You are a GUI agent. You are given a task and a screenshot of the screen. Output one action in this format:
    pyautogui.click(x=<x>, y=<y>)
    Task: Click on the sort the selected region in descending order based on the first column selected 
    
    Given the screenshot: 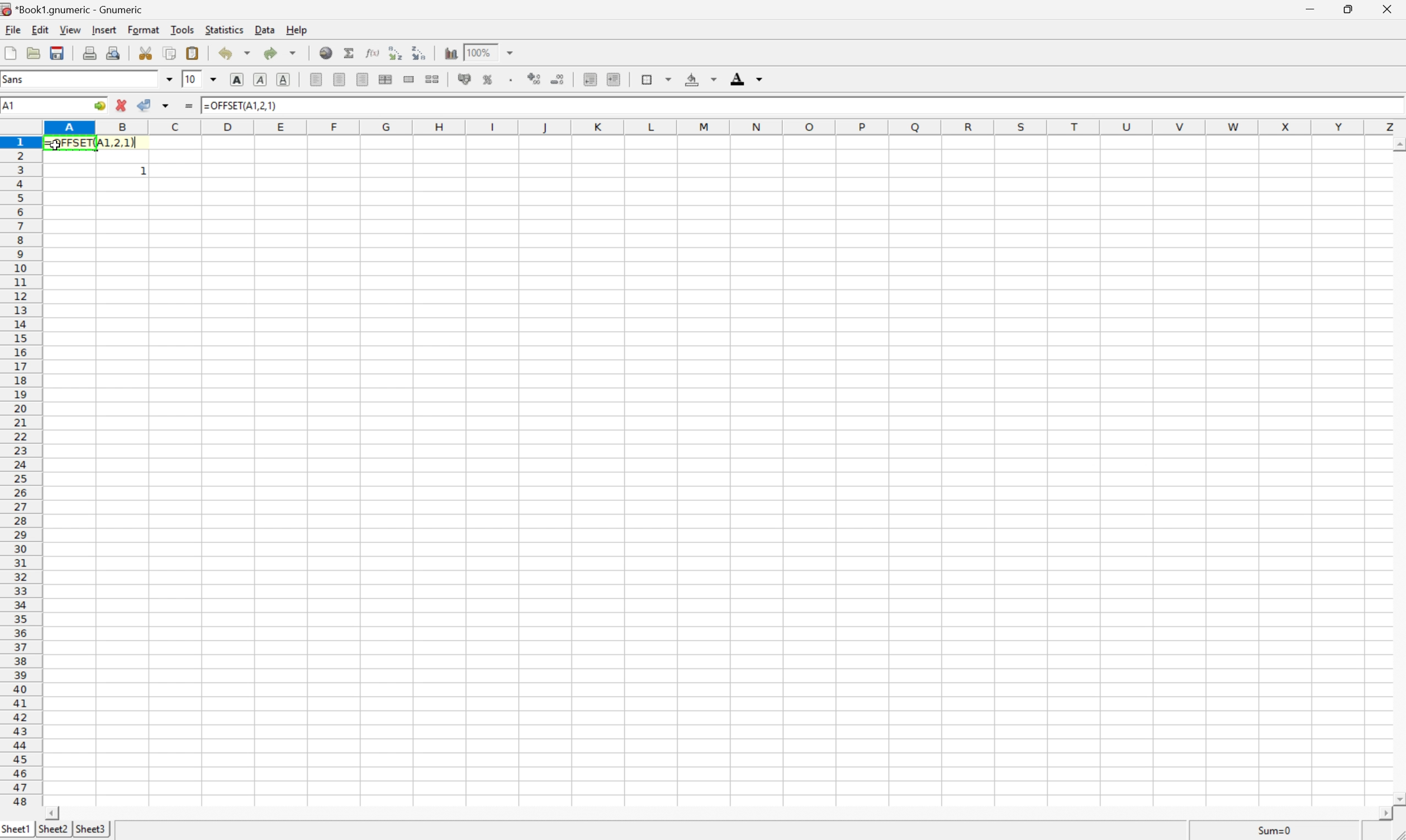 What is the action you would take?
    pyautogui.click(x=421, y=52)
    